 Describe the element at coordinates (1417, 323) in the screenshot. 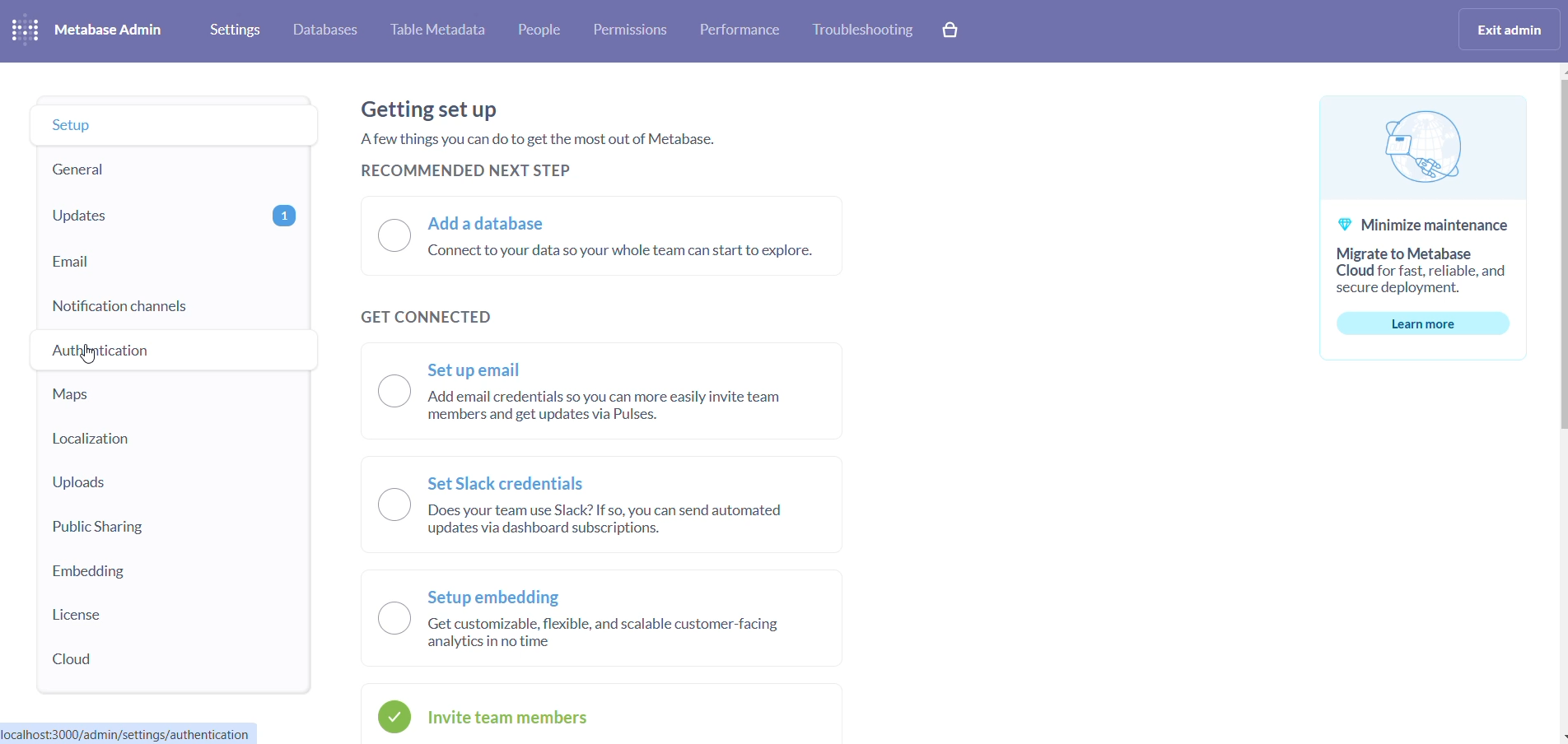

I see `learn more` at that location.